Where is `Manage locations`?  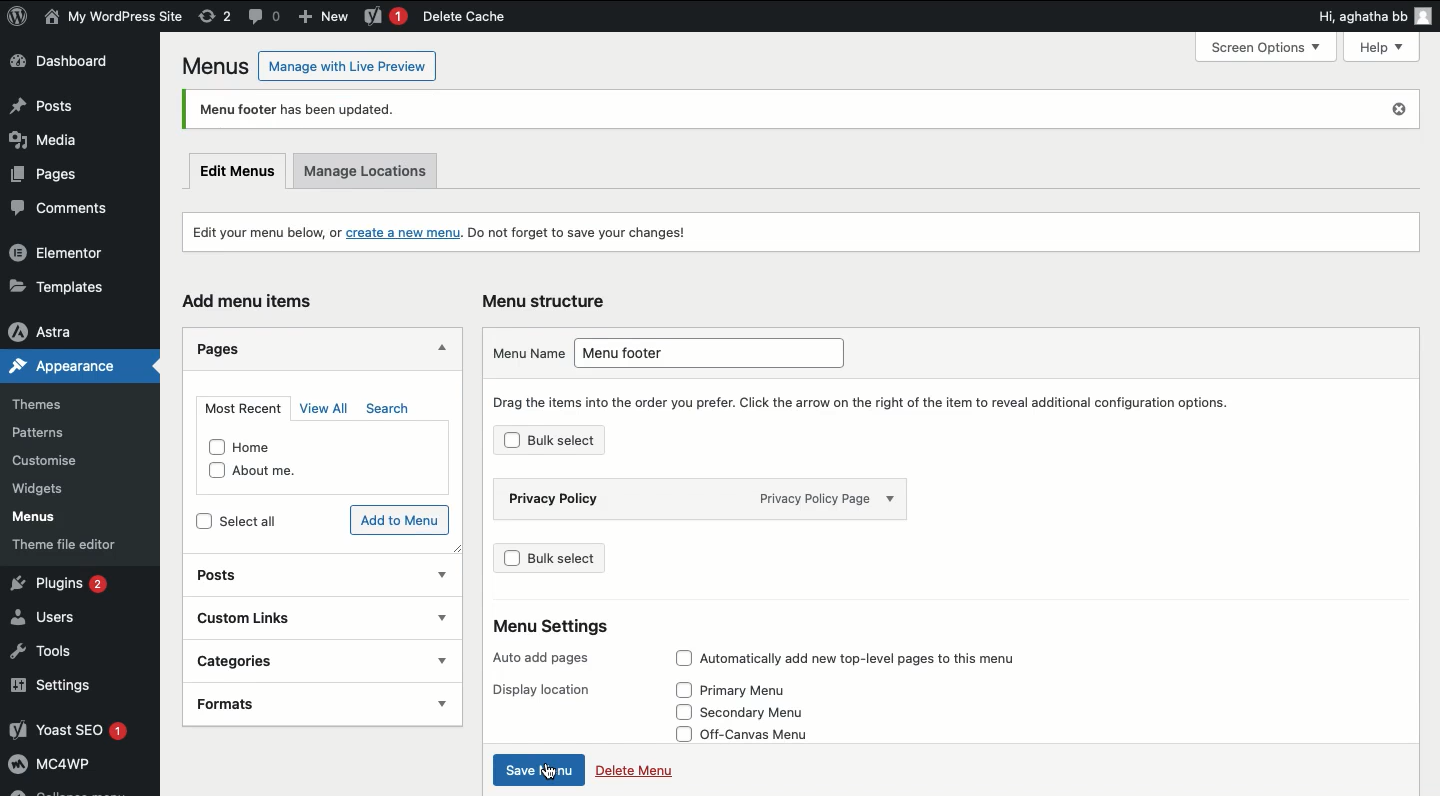 Manage locations is located at coordinates (371, 164).